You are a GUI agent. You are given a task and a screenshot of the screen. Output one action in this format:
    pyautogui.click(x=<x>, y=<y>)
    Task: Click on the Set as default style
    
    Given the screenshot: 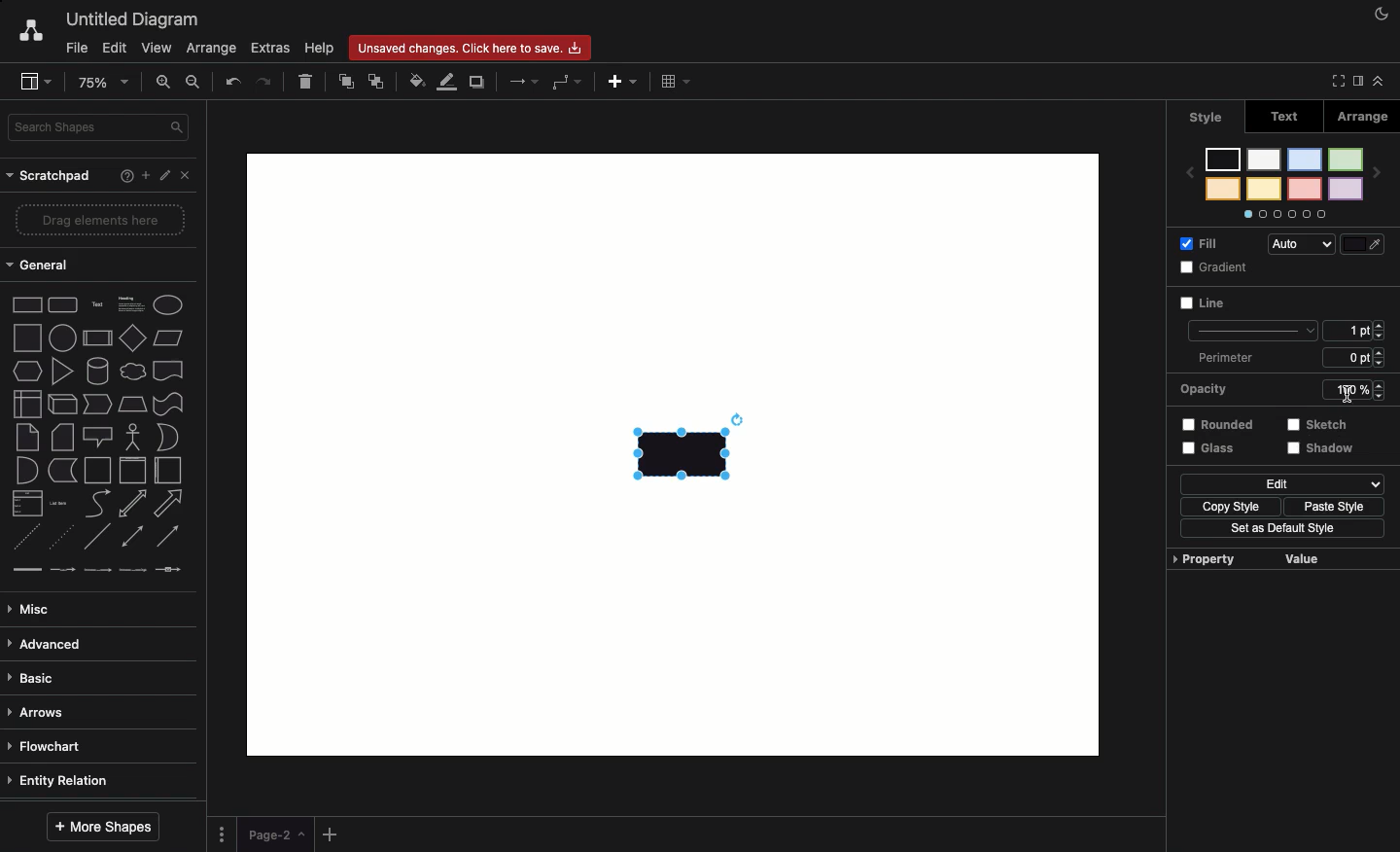 What is the action you would take?
    pyautogui.click(x=1278, y=530)
    